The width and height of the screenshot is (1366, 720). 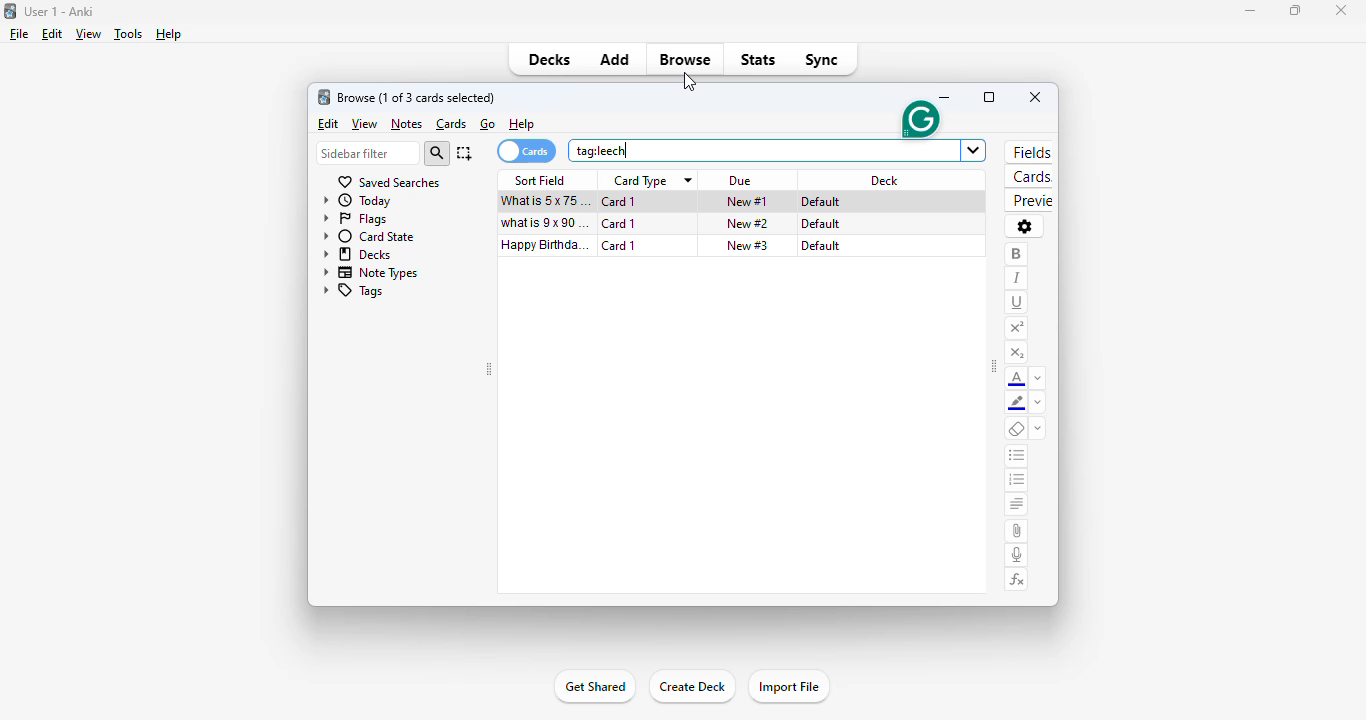 I want to click on tools, so click(x=130, y=34).